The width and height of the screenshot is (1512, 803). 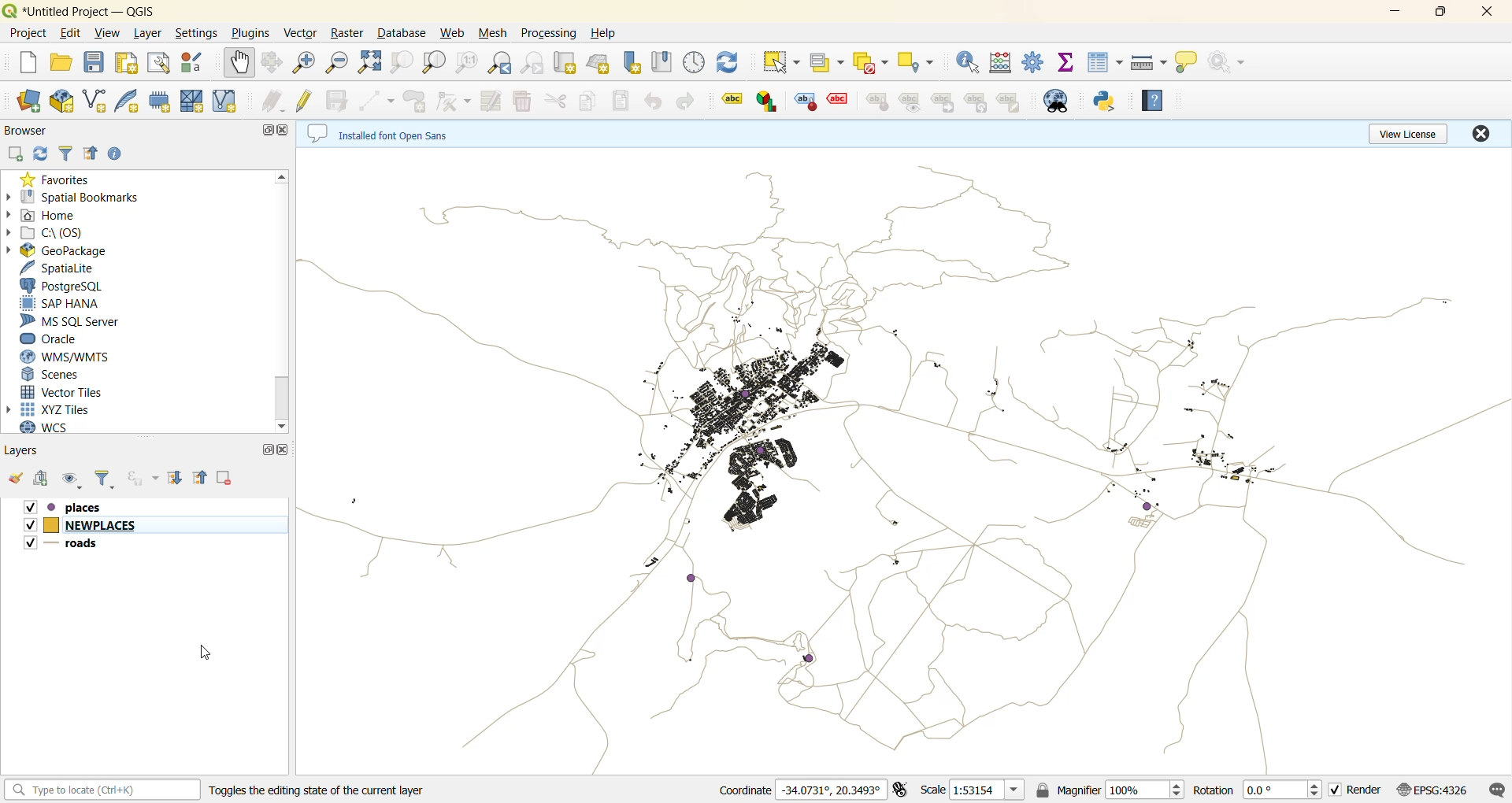 What do you see at coordinates (17, 154) in the screenshot?
I see `add` at bounding box center [17, 154].